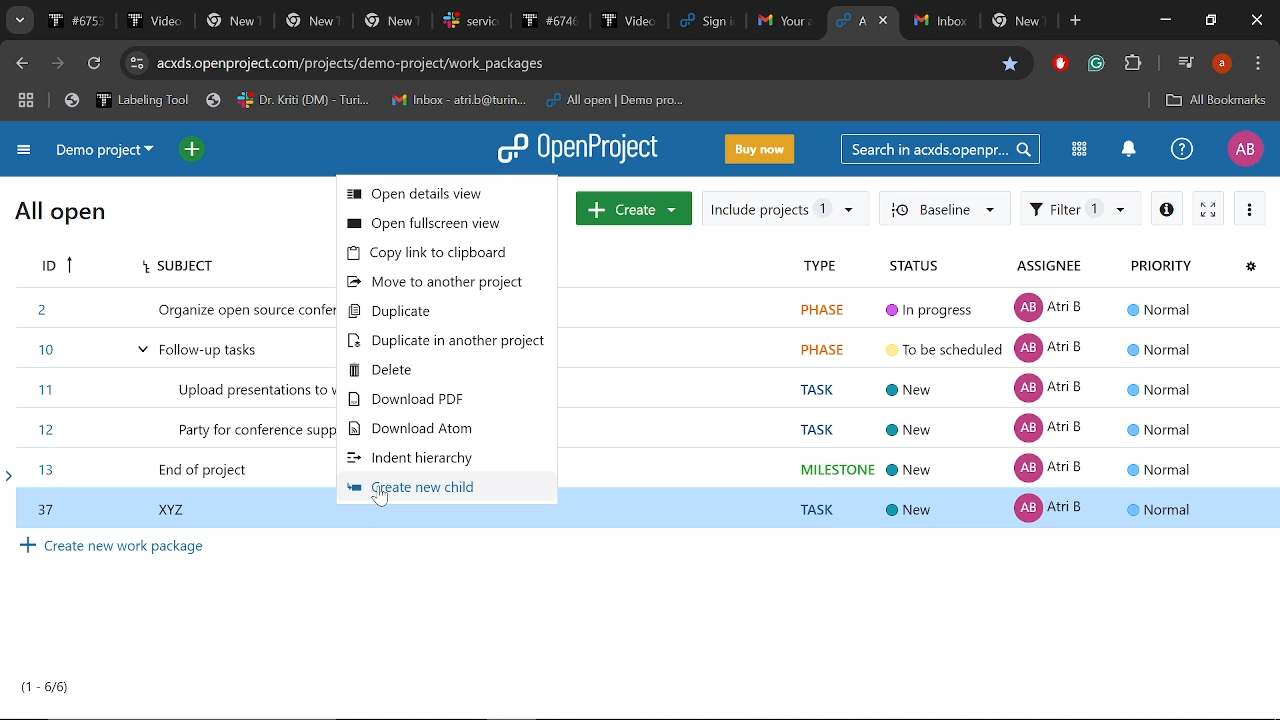 This screenshot has width=1280, height=720. Describe the element at coordinates (352, 65) in the screenshot. I see `Cite address` at that location.